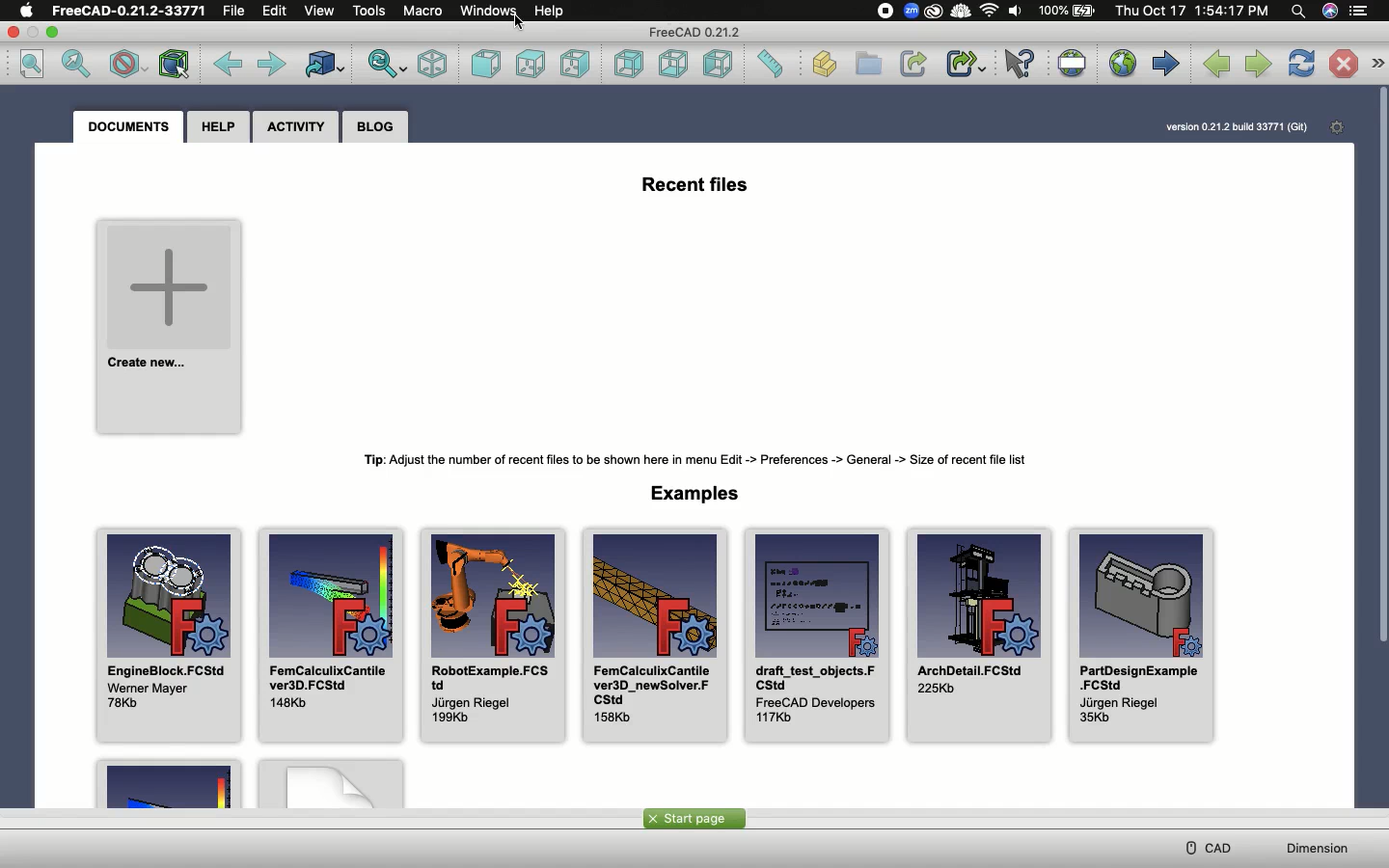 This screenshot has width=1389, height=868. What do you see at coordinates (170, 326) in the screenshot?
I see `Create new` at bounding box center [170, 326].